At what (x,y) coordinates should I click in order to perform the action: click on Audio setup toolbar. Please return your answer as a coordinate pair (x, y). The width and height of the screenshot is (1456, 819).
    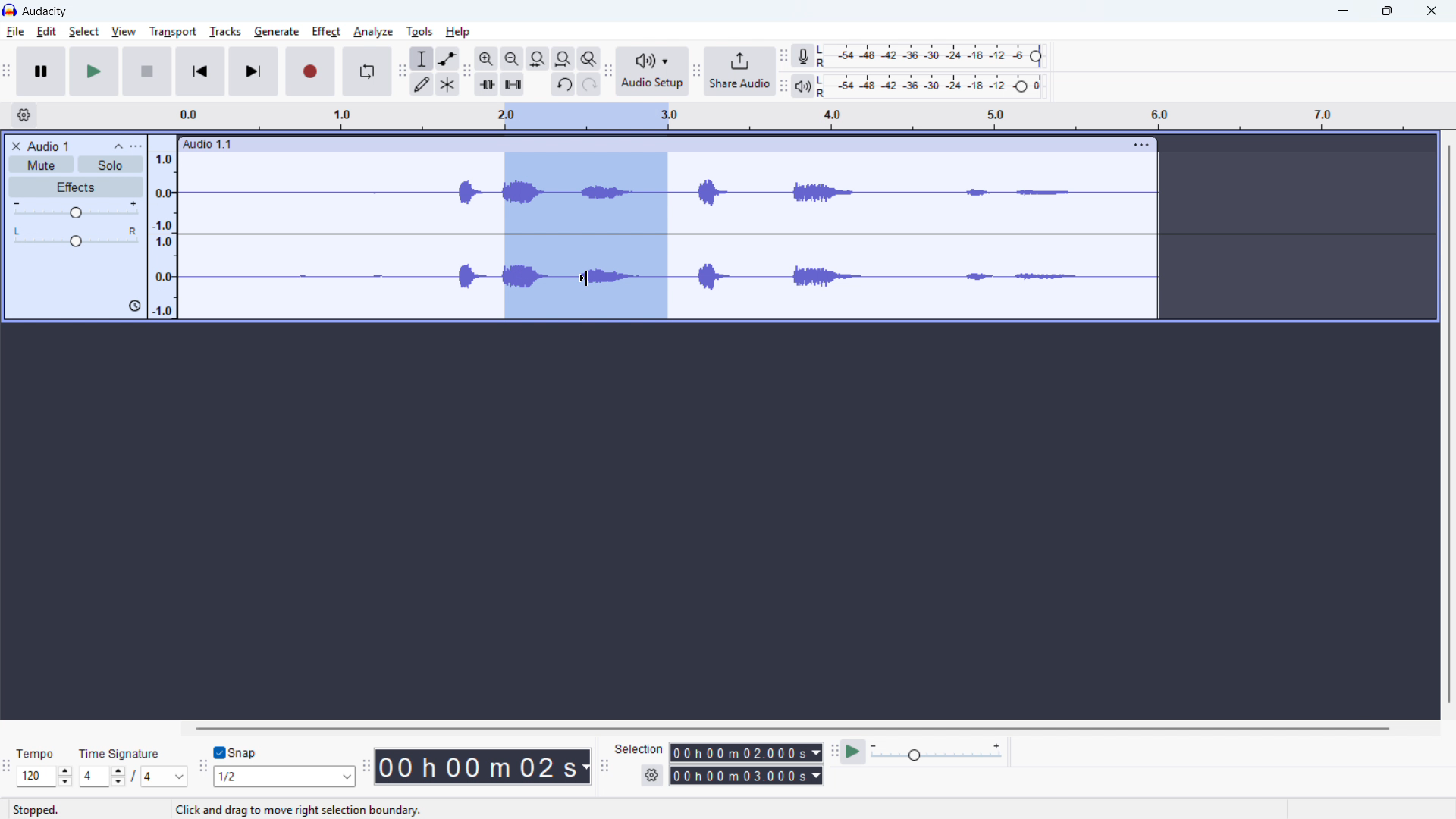
    Looking at the image, I should click on (607, 72).